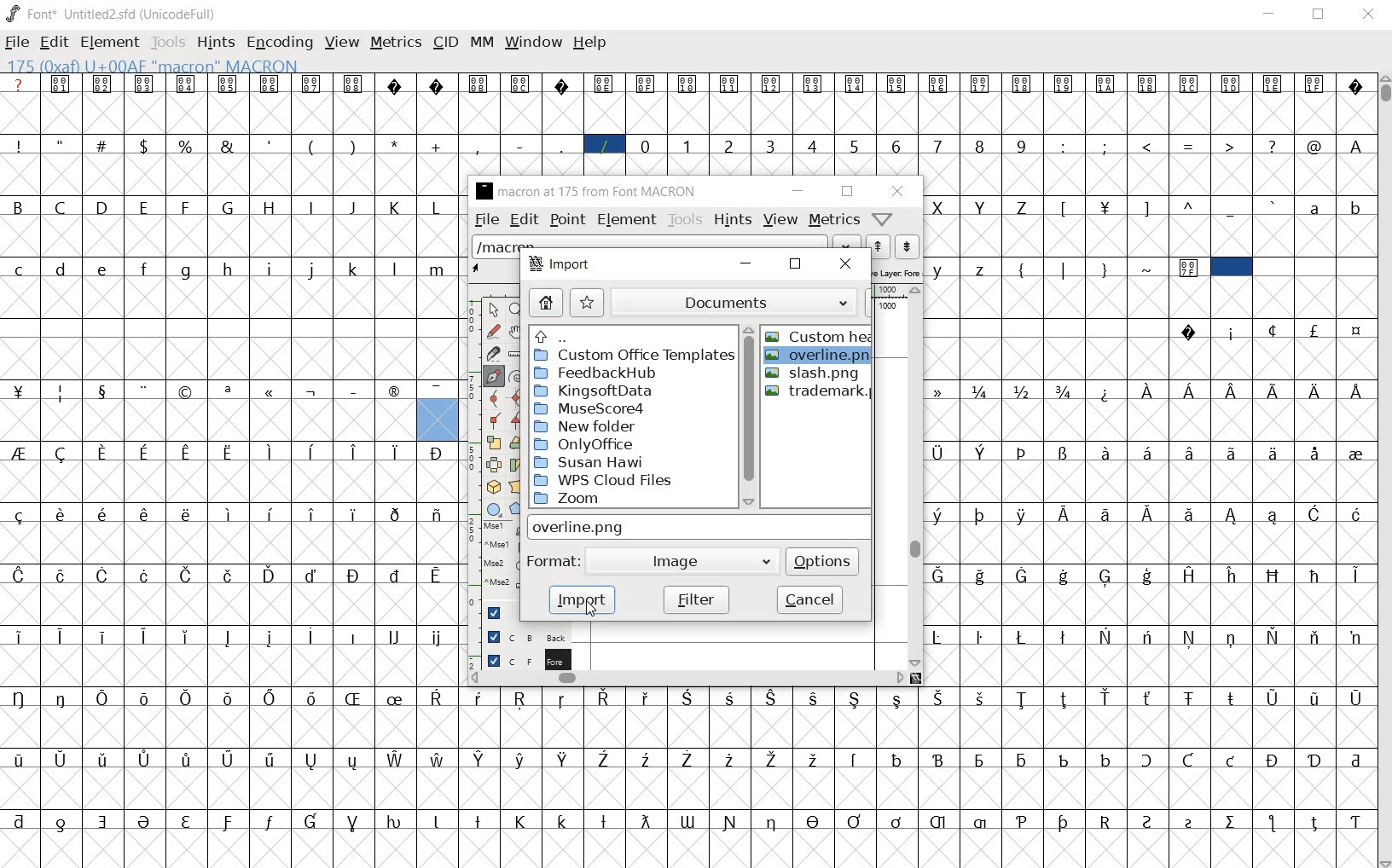  Describe the element at coordinates (273, 820) in the screenshot. I see `Symbol` at that location.